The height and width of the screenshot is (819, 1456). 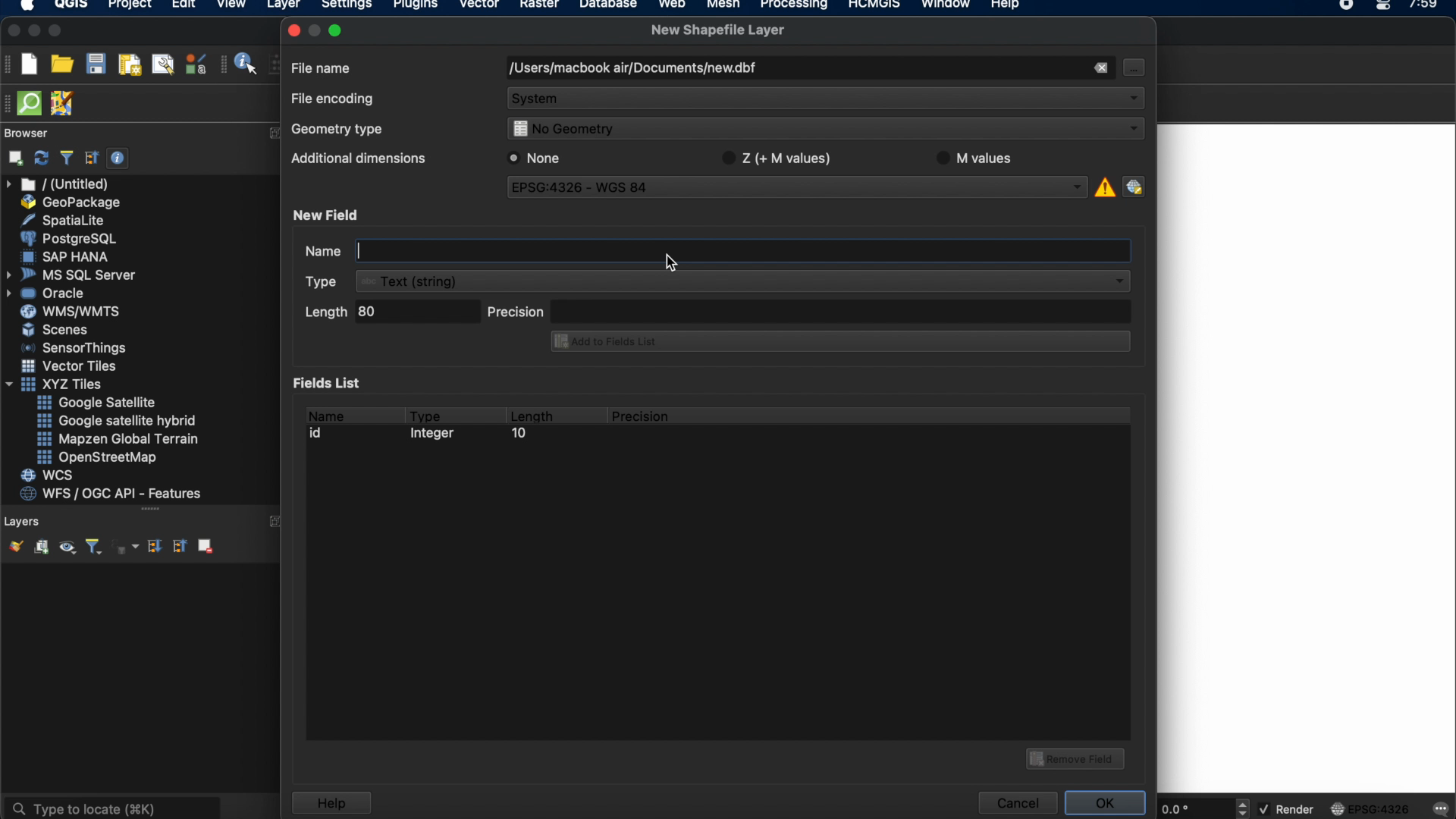 I want to click on identify features, so click(x=240, y=64).